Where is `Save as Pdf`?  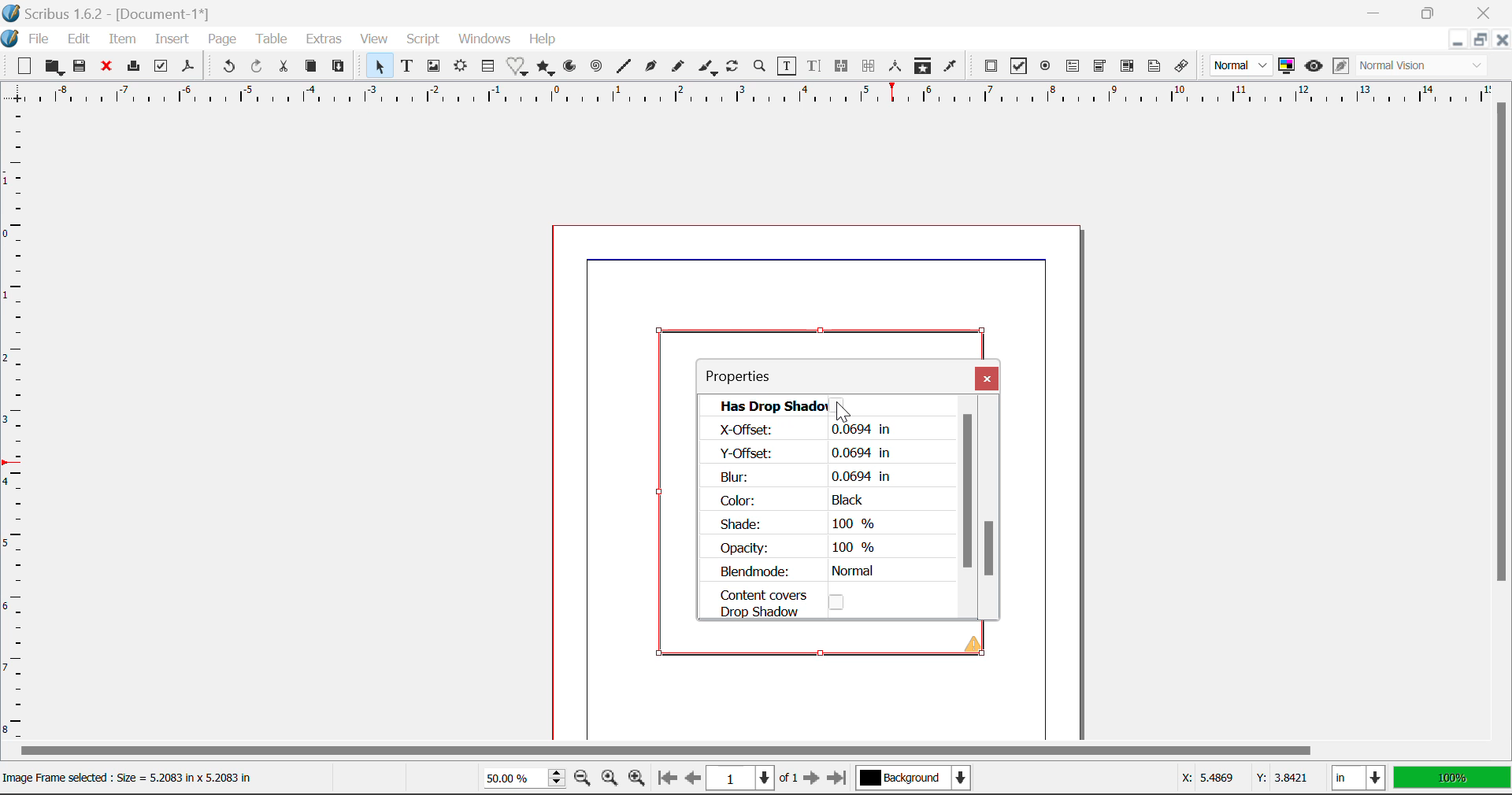
Save as Pdf is located at coordinates (190, 69).